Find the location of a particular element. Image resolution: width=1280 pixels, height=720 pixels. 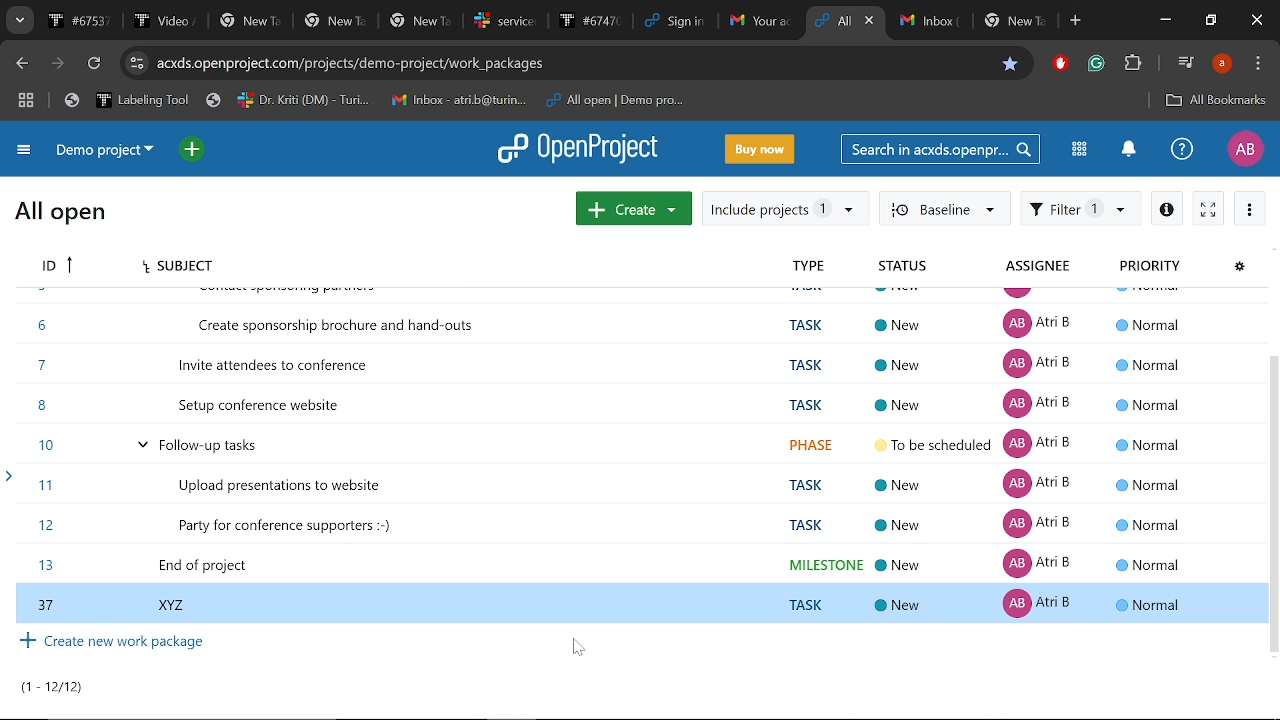

Tabs is located at coordinates (420, 20).